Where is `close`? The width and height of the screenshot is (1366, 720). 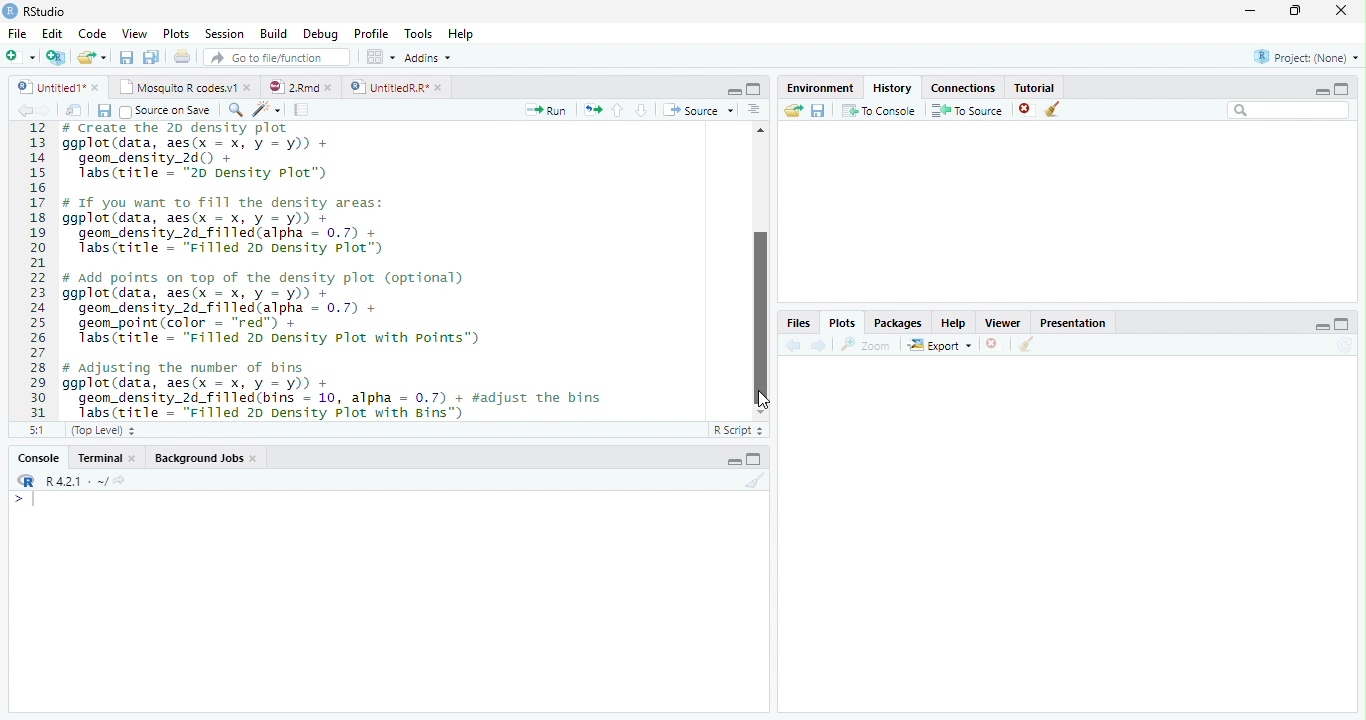 close is located at coordinates (136, 458).